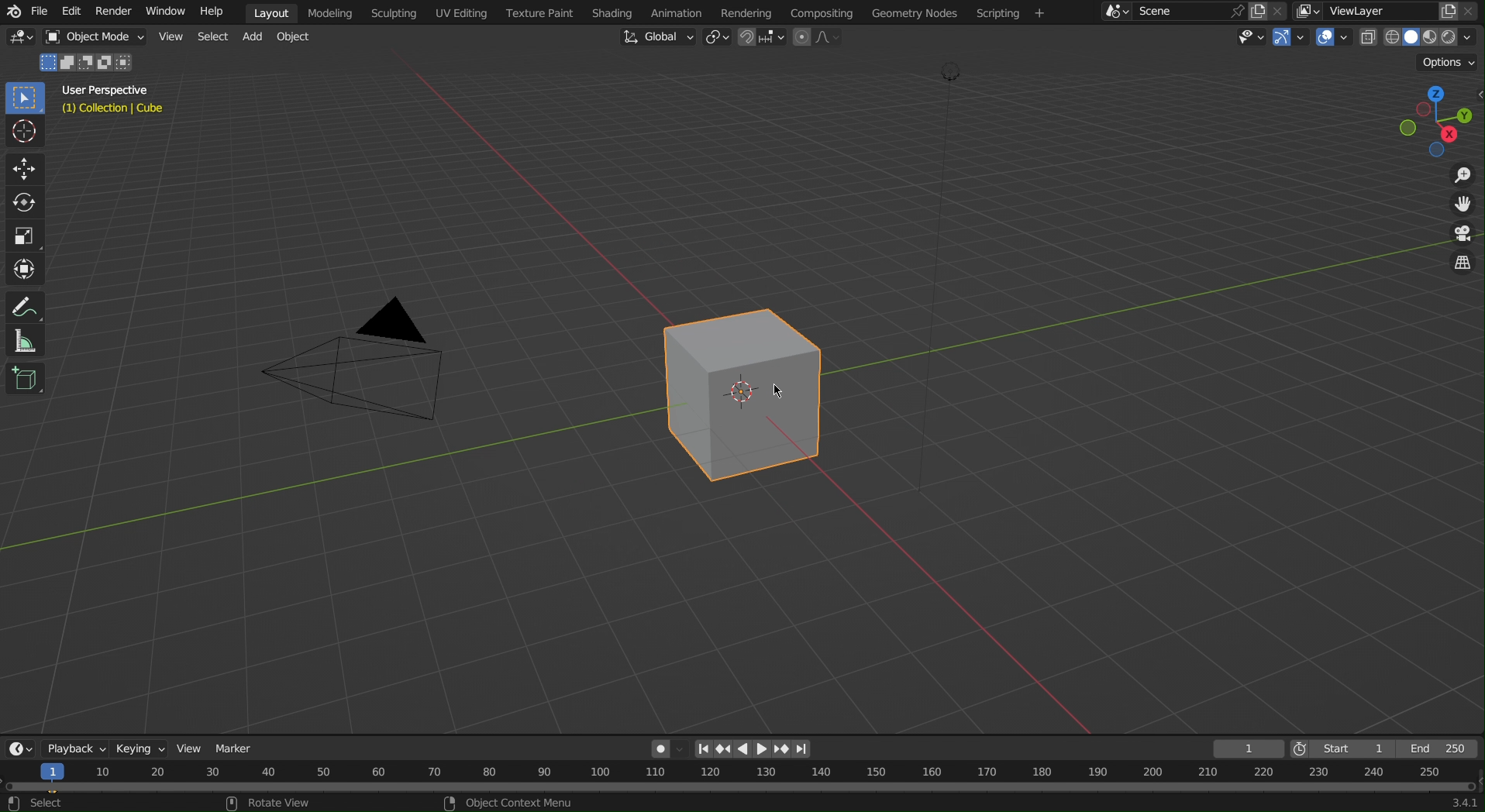 The height and width of the screenshot is (812, 1485). What do you see at coordinates (1346, 748) in the screenshot?
I see `Start` at bounding box center [1346, 748].